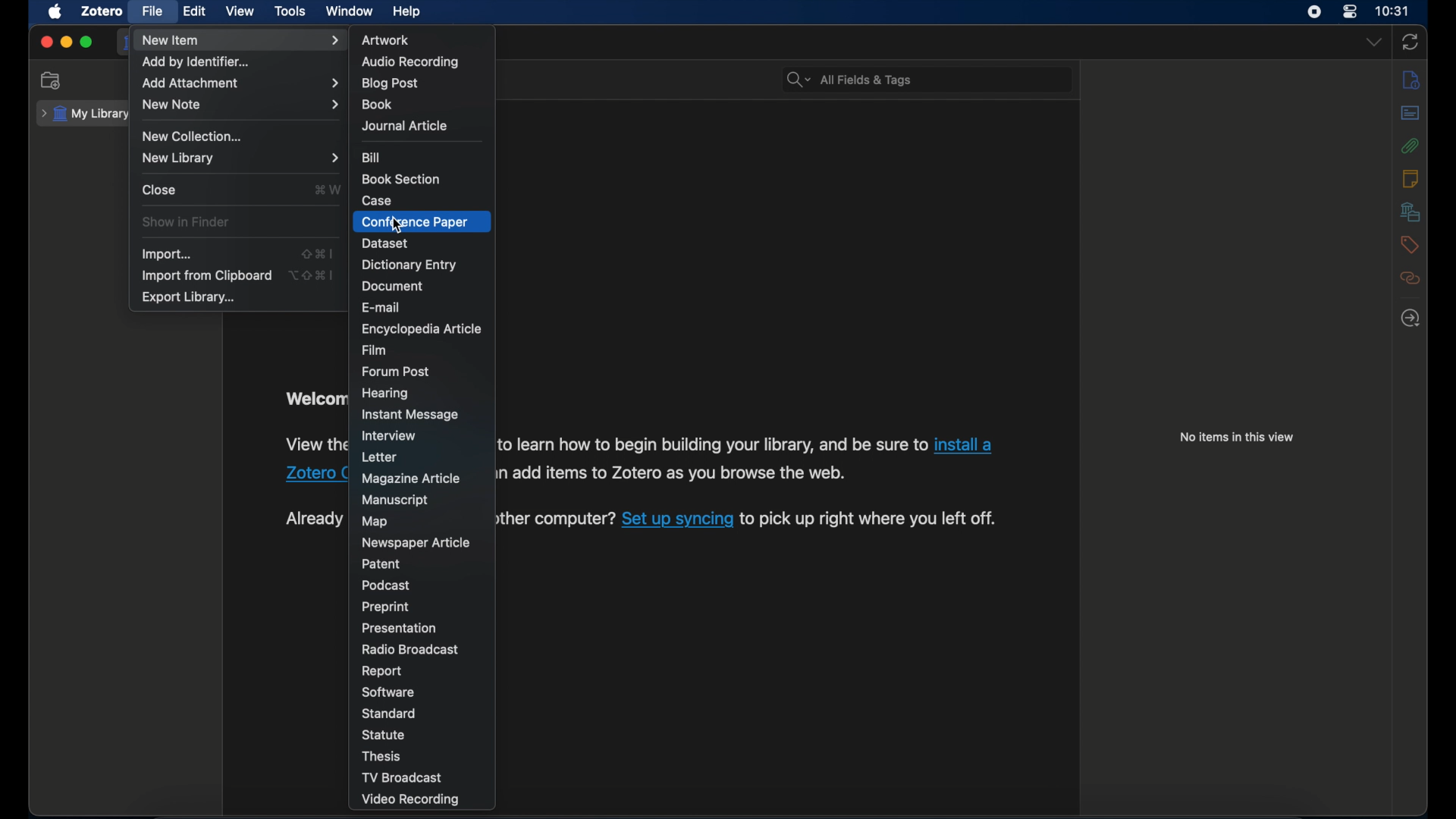 This screenshot has height=819, width=1456. I want to click on add attachment, so click(240, 83).